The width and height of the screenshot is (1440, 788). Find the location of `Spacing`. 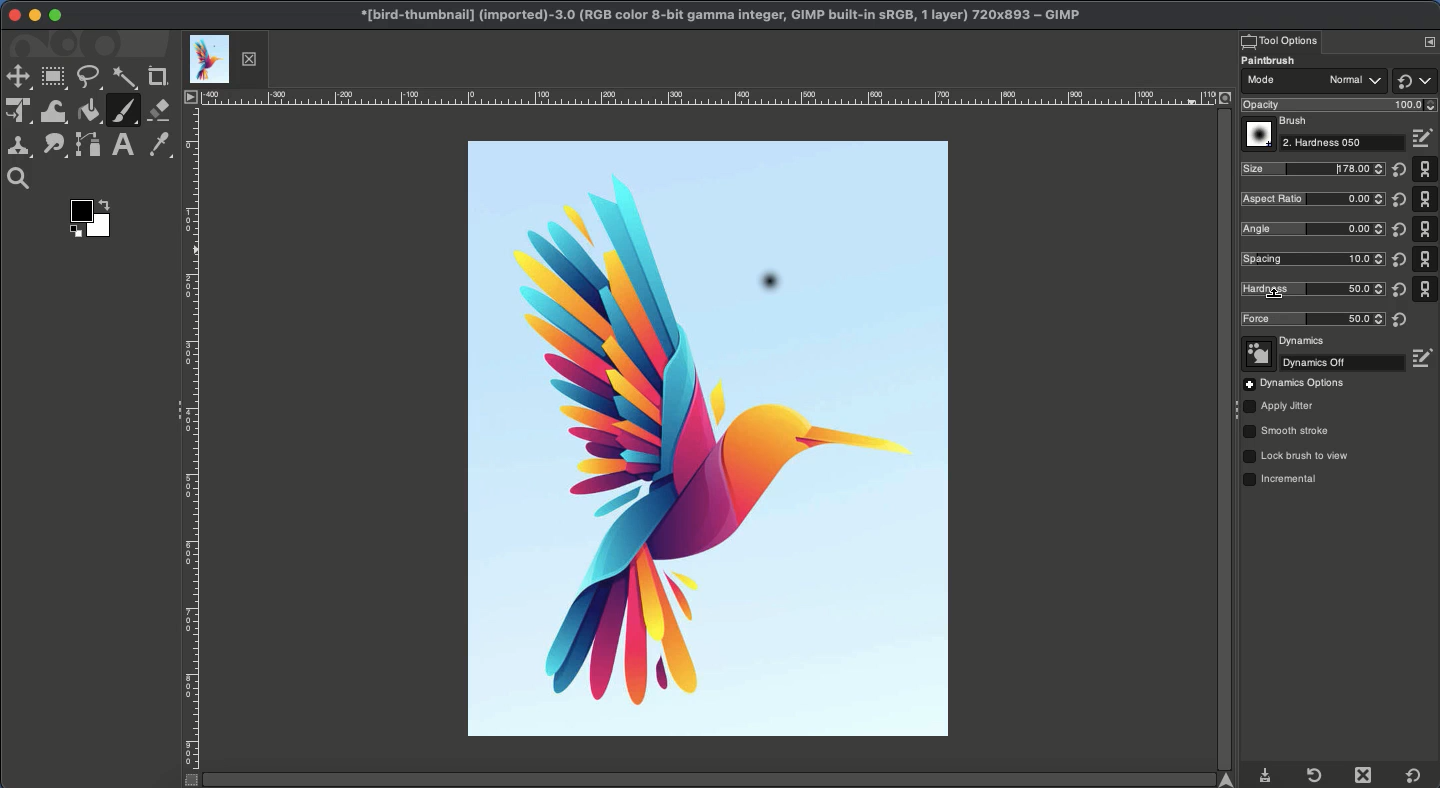

Spacing is located at coordinates (1310, 258).